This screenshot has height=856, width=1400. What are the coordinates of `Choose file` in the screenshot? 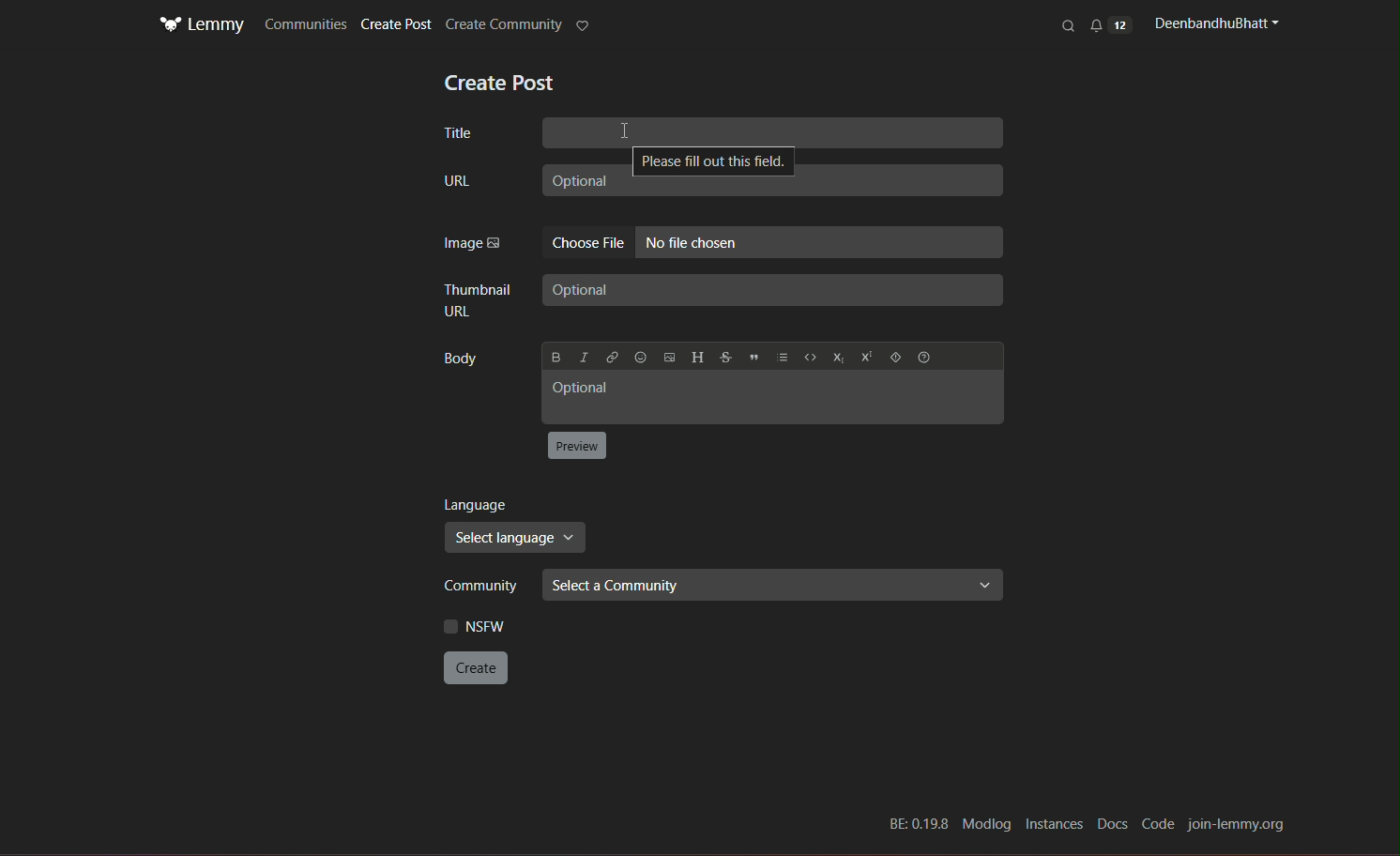 It's located at (588, 243).